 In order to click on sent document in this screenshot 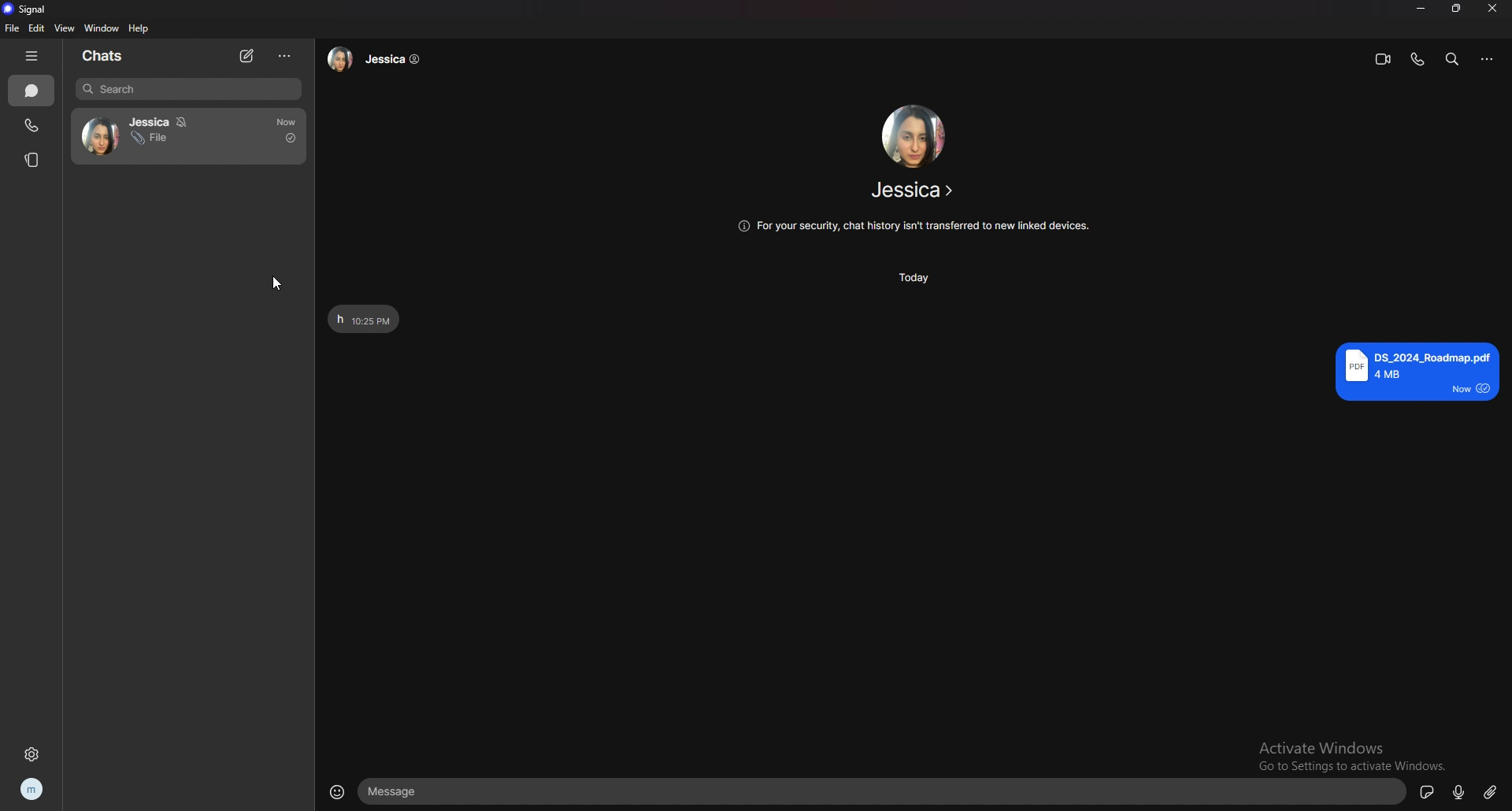, I will do `click(1417, 372)`.